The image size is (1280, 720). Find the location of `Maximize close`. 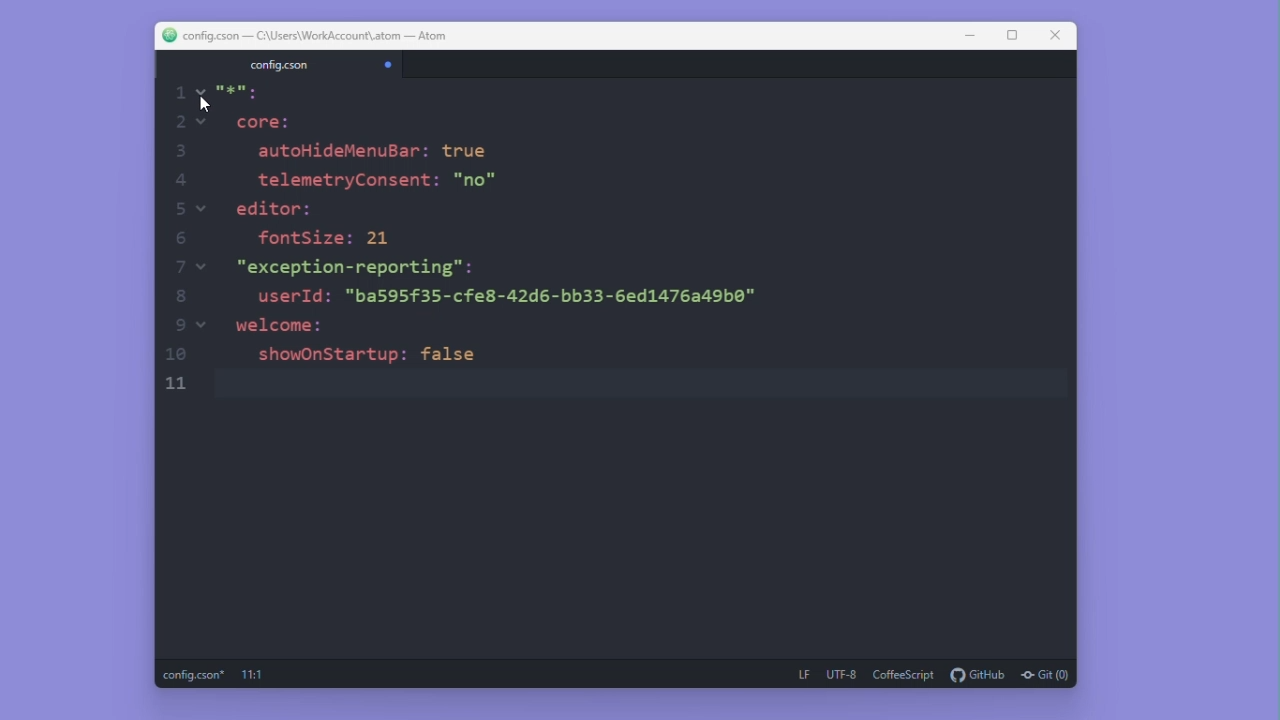

Maximize close is located at coordinates (1054, 36).